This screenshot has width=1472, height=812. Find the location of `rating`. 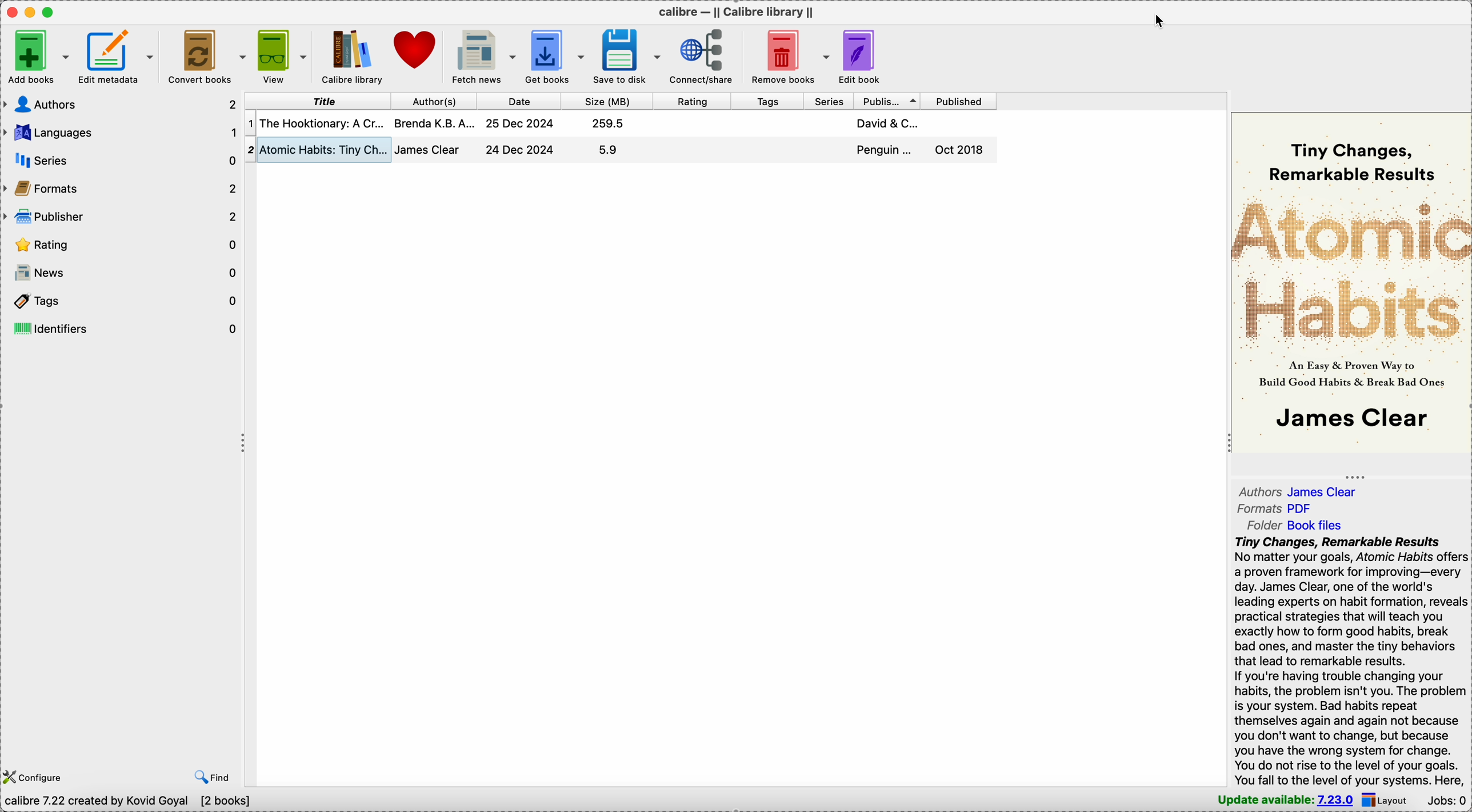

rating is located at coordinates (695, 102).